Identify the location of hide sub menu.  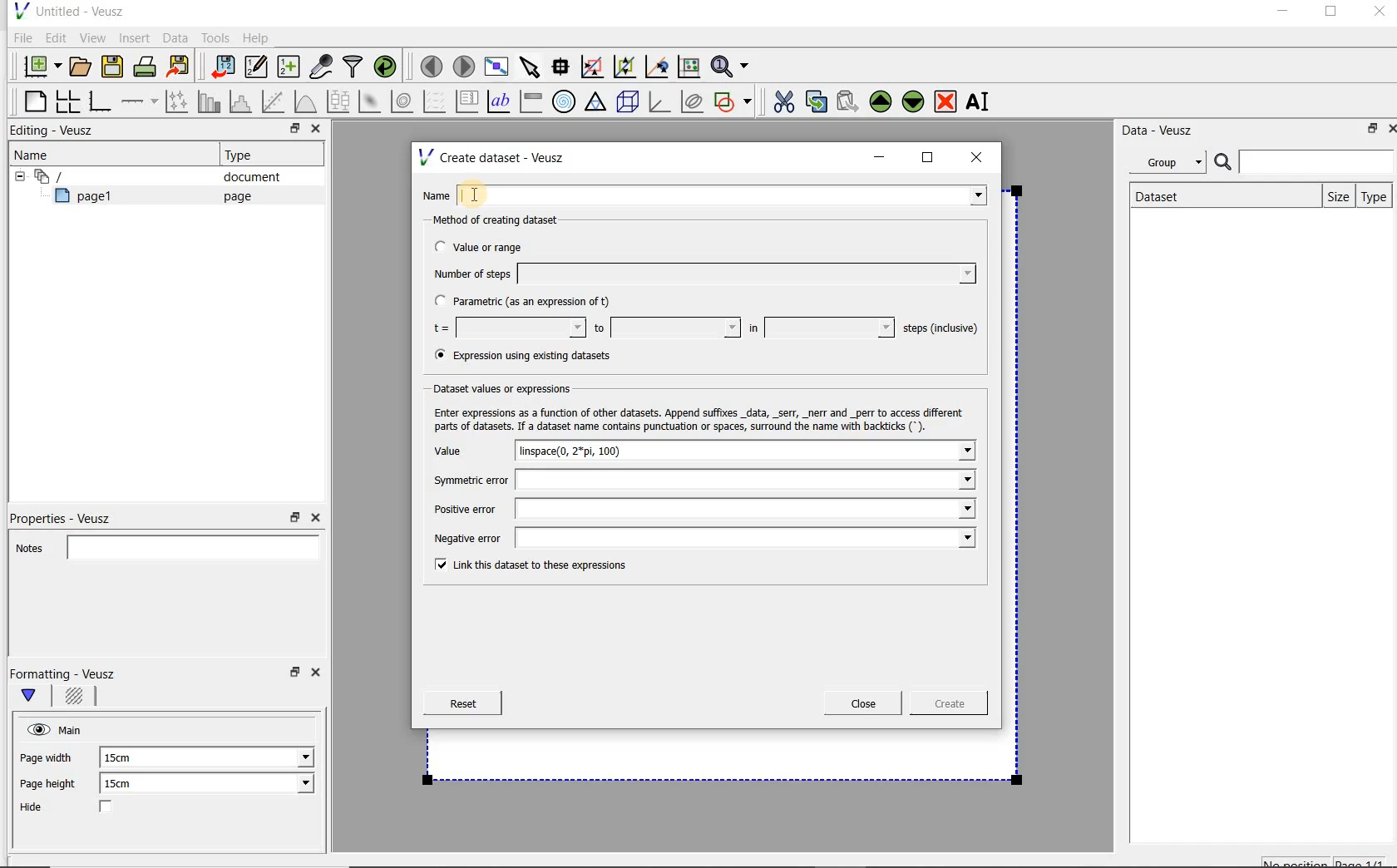
(16, 175).